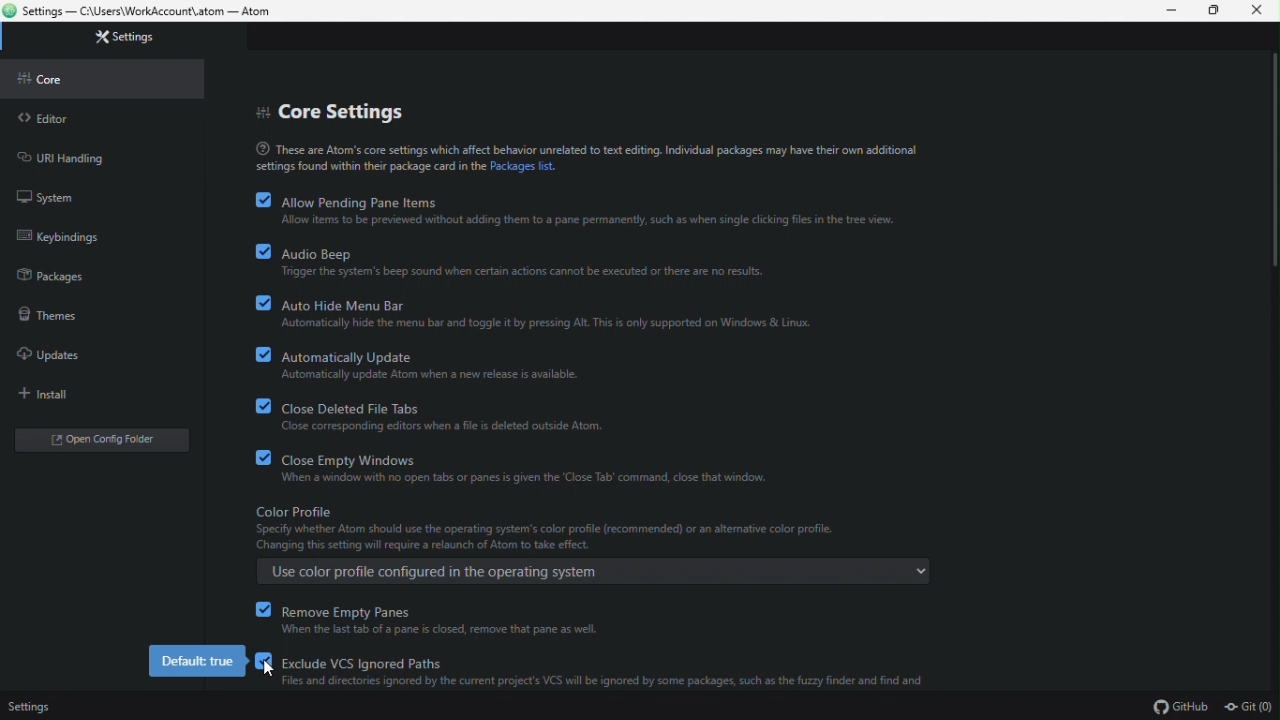 This screenshot has height=720, width=1280. What do you see at coordinates (1175, 12) in the screenshot?
I see `Minimise` at bounding box center [1175, 12].